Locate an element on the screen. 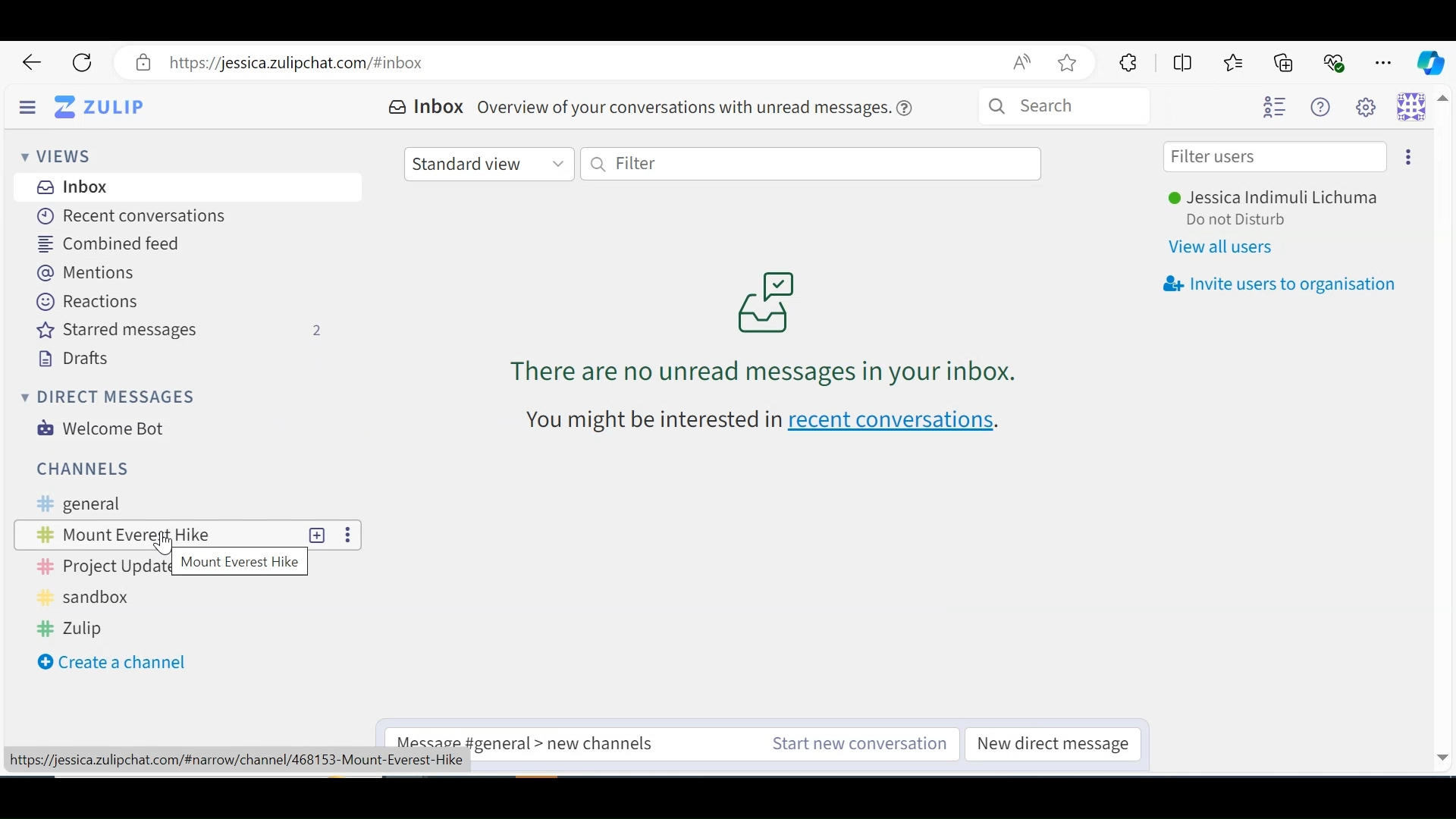  Favorites is located at coordinates (1235, 62).